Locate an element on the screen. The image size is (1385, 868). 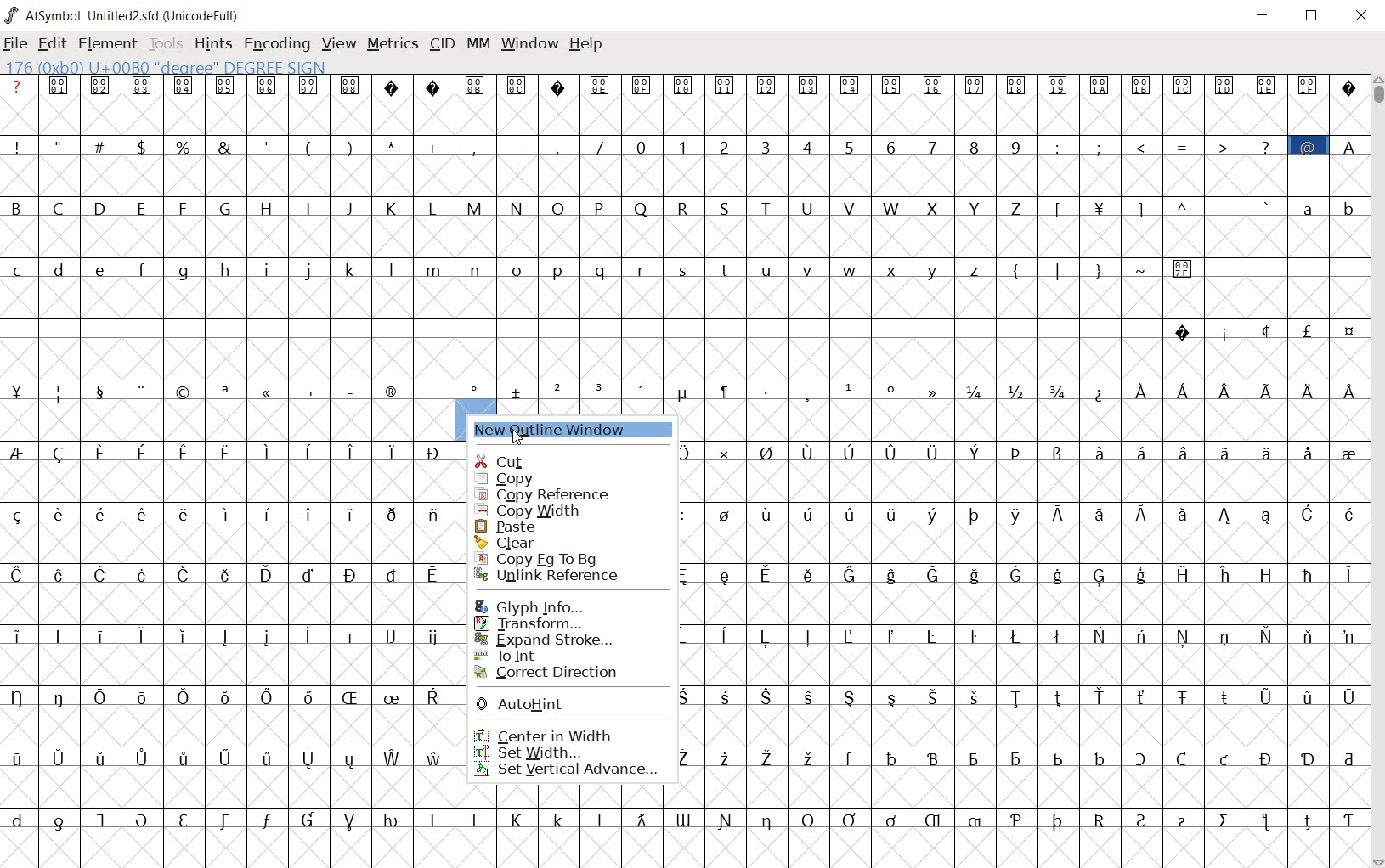
file is located at coordinates (15, 45).